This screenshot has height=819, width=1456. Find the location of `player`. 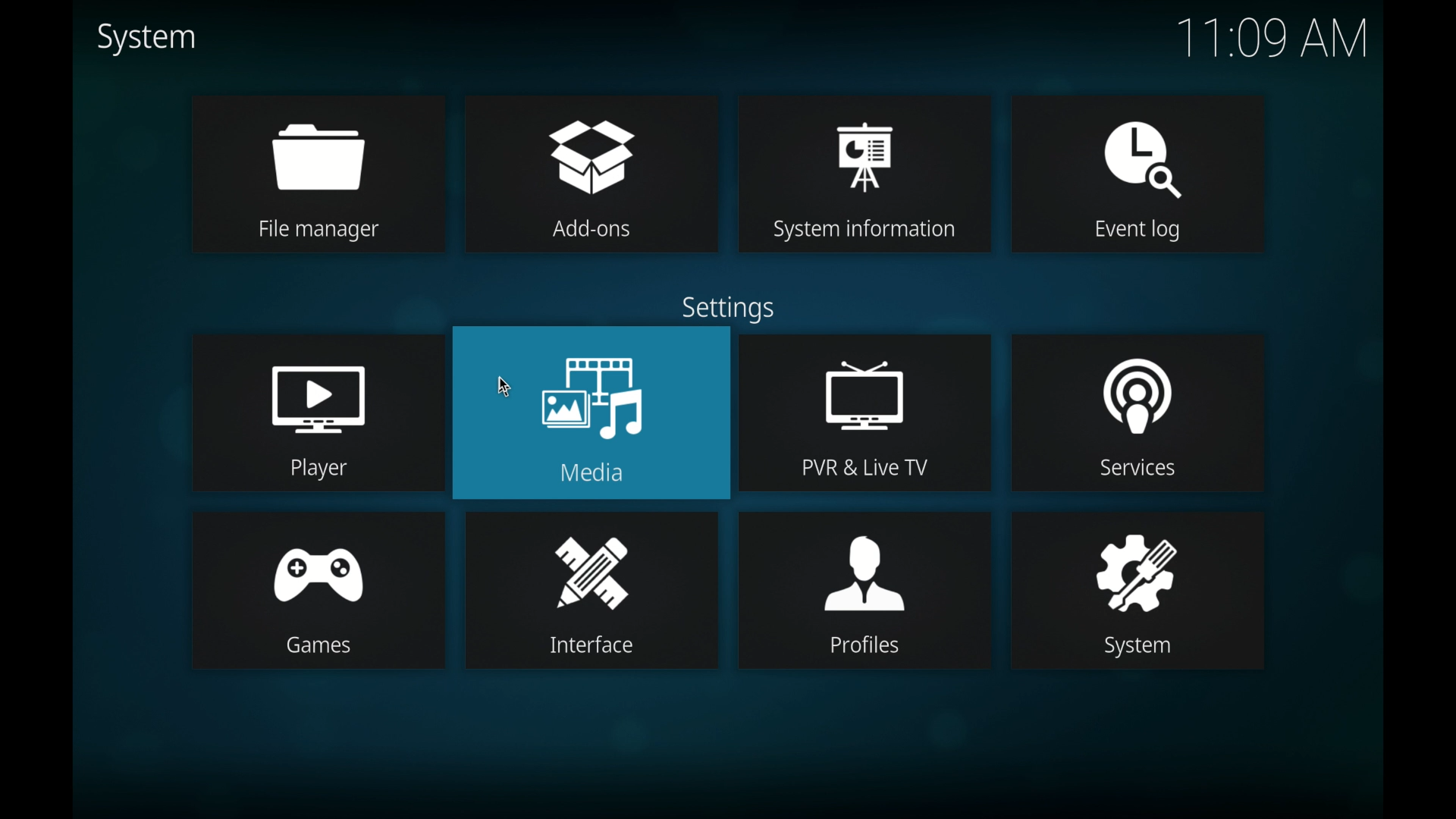

player is located at coordinates (315, 411).